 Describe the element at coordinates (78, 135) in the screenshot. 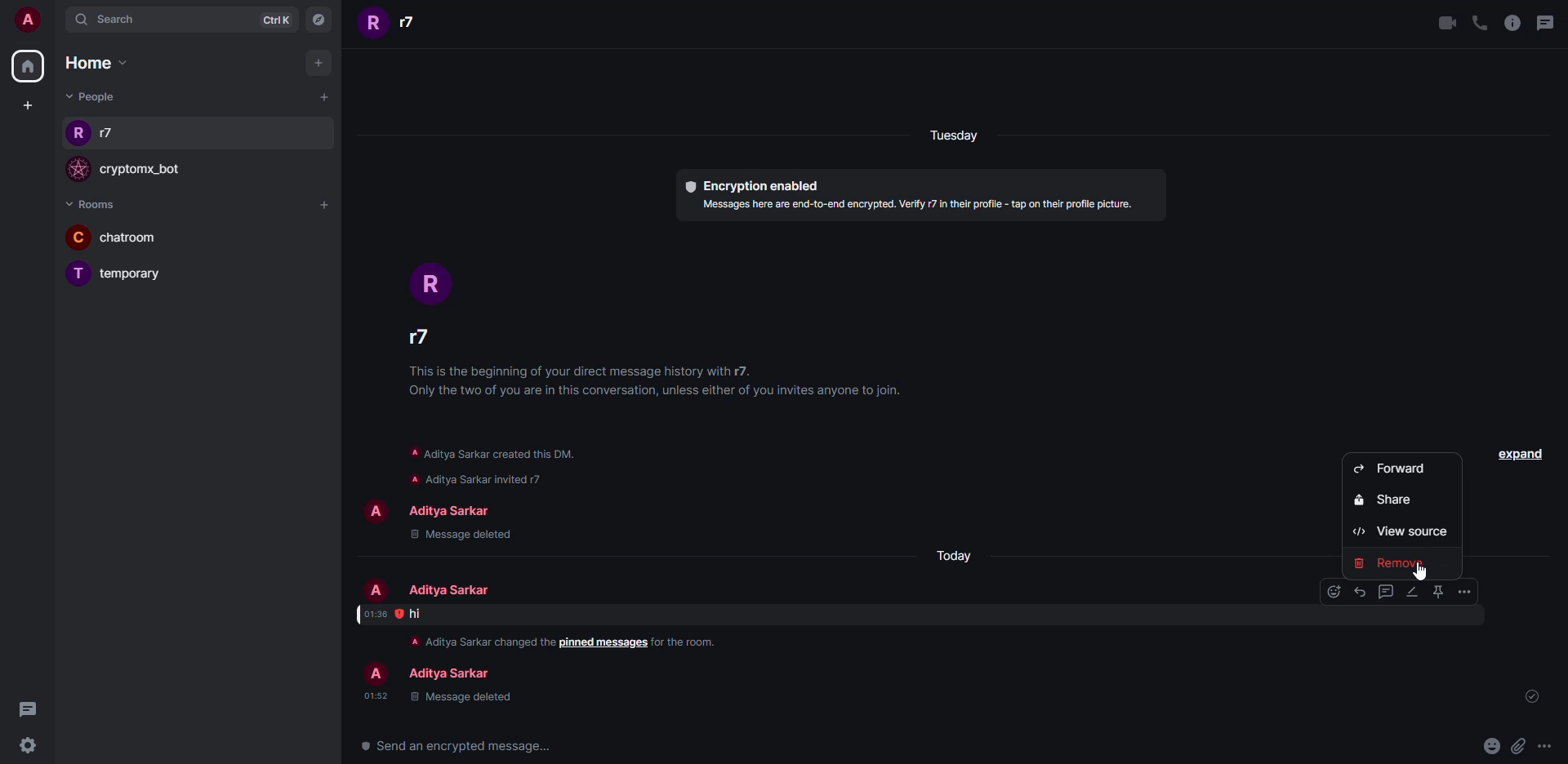

I see `profile` at that location.